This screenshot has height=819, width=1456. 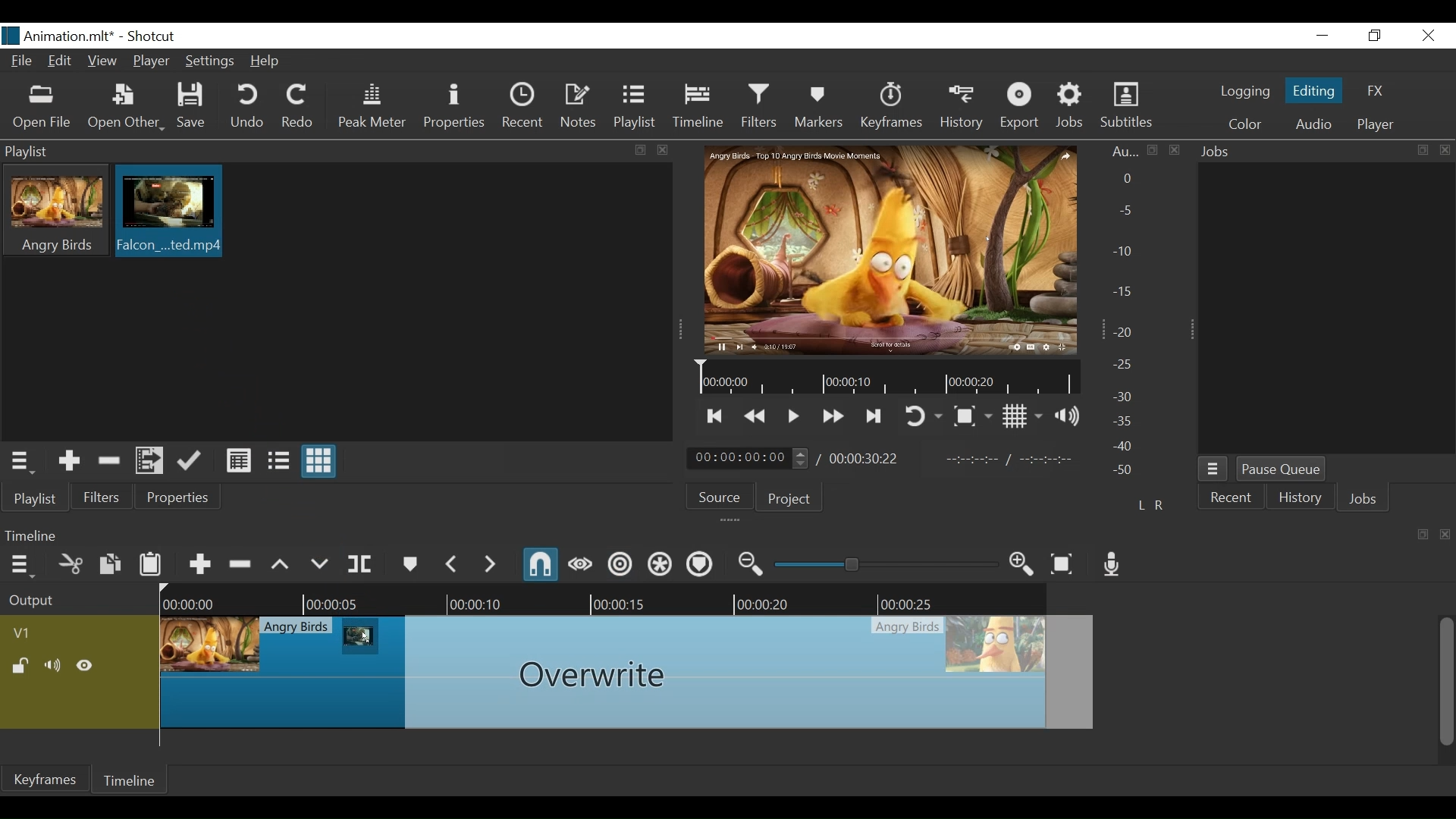 I want to click on L R, so click(x=1150, y=504).